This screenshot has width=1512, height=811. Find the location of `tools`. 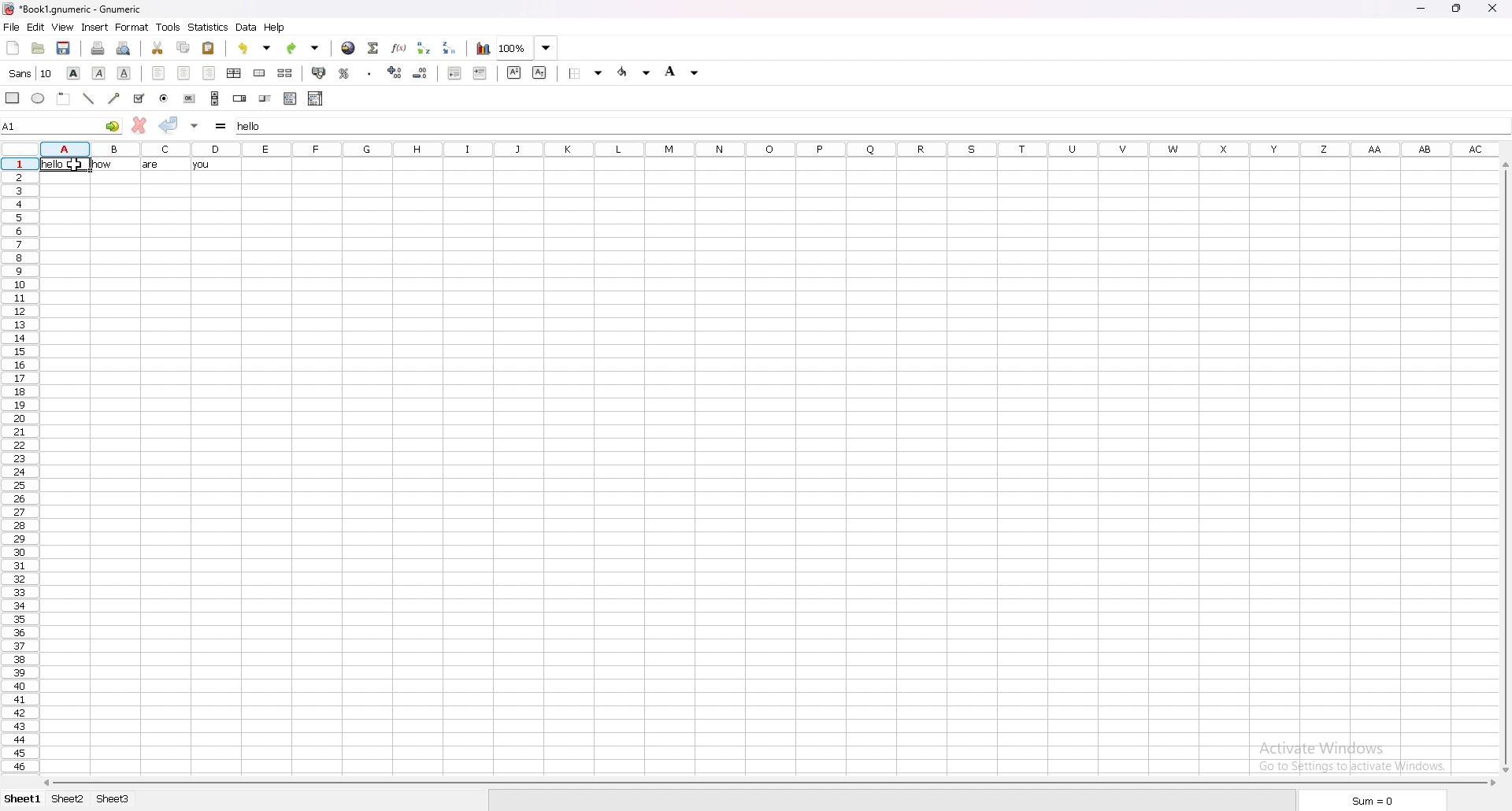

tools is located at coordinates (169, 27).